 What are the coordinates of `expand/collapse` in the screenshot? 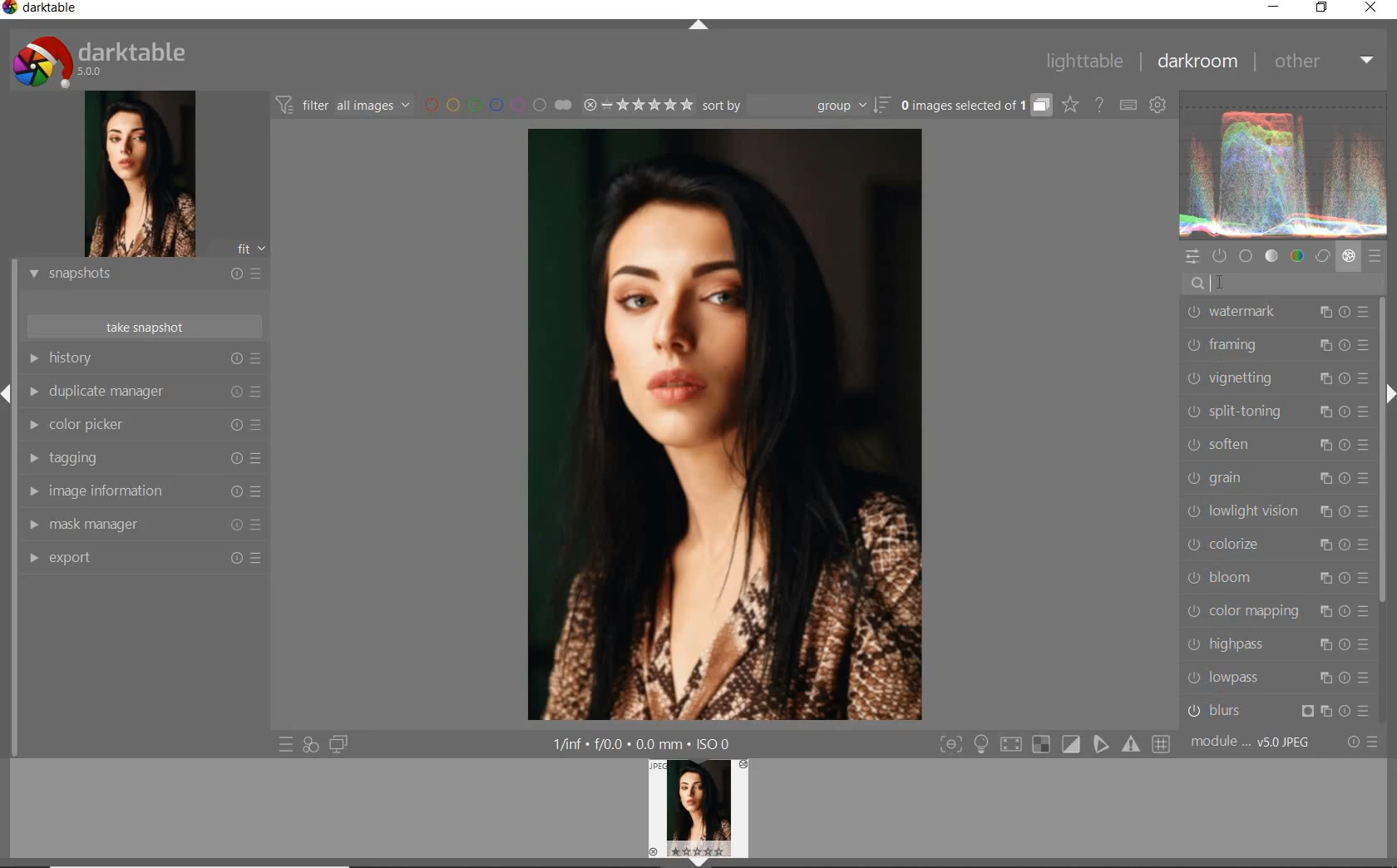 It's located at (700, 26).